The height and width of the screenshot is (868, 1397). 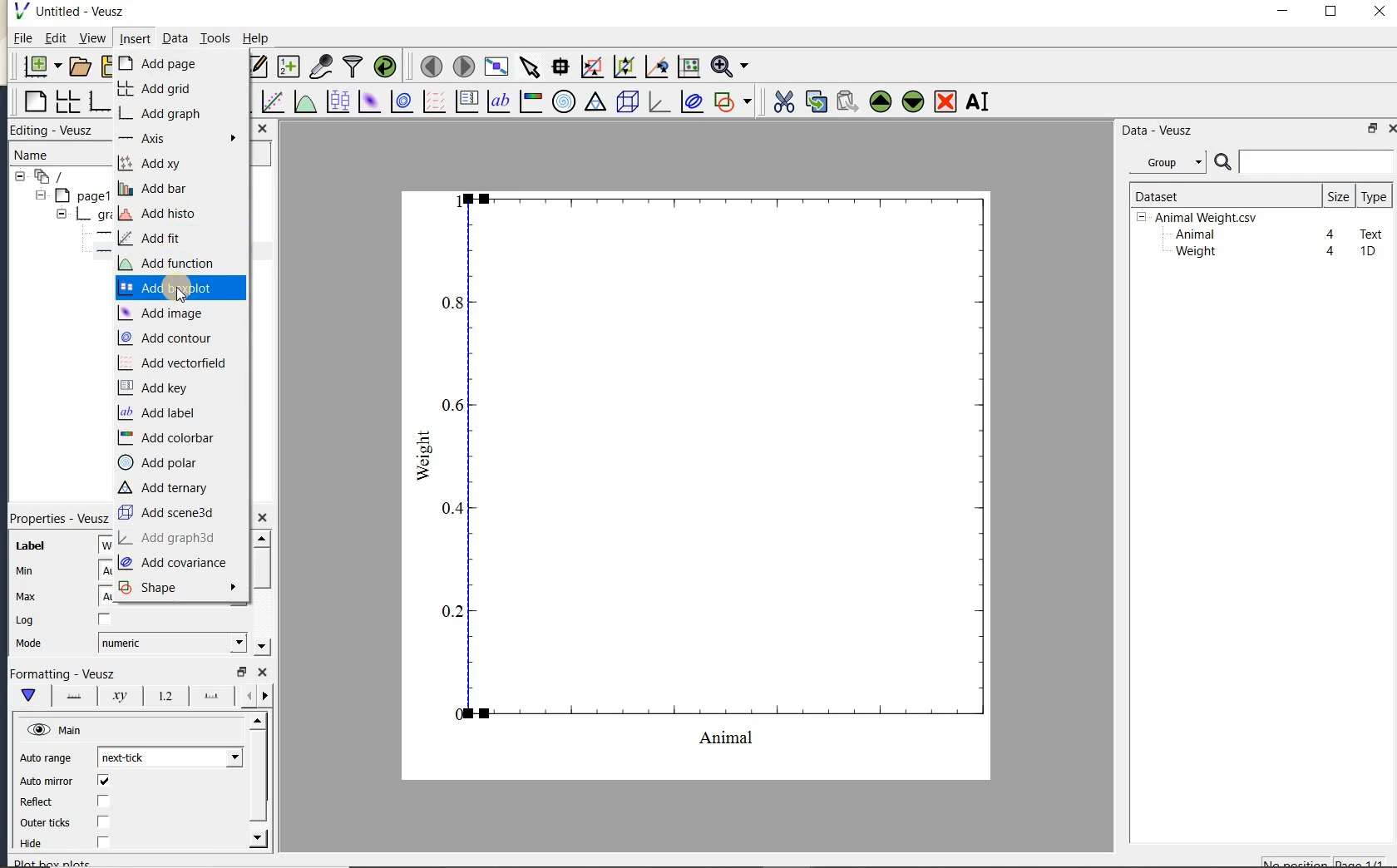 I want to click on add key, so click(x=156, y=386).